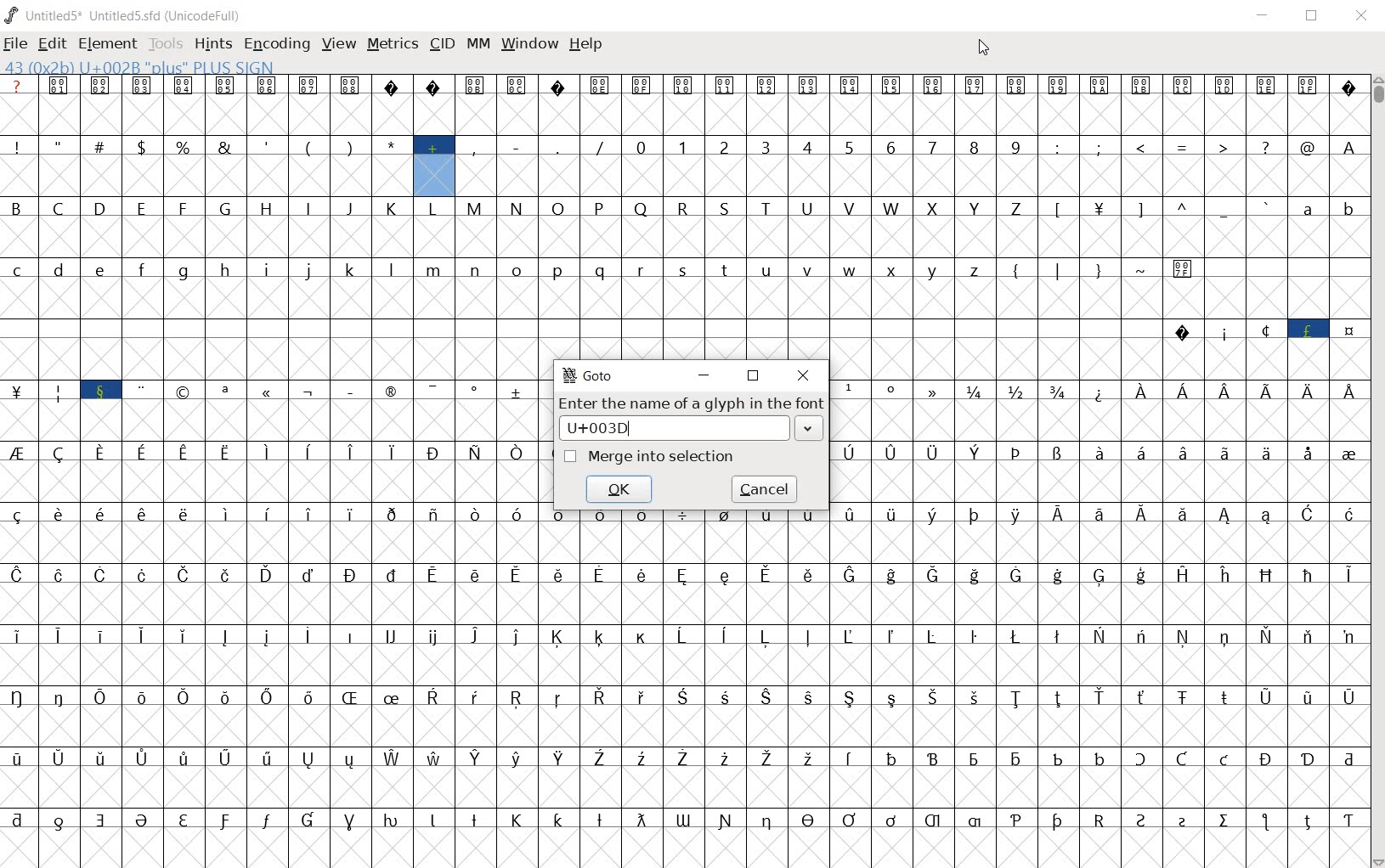 The width and height of the screenshot is (1385, 868). Describe the element at coordinates (692, 420) in the screenshot. I see `enter the name of a glyph in the font` at that location.